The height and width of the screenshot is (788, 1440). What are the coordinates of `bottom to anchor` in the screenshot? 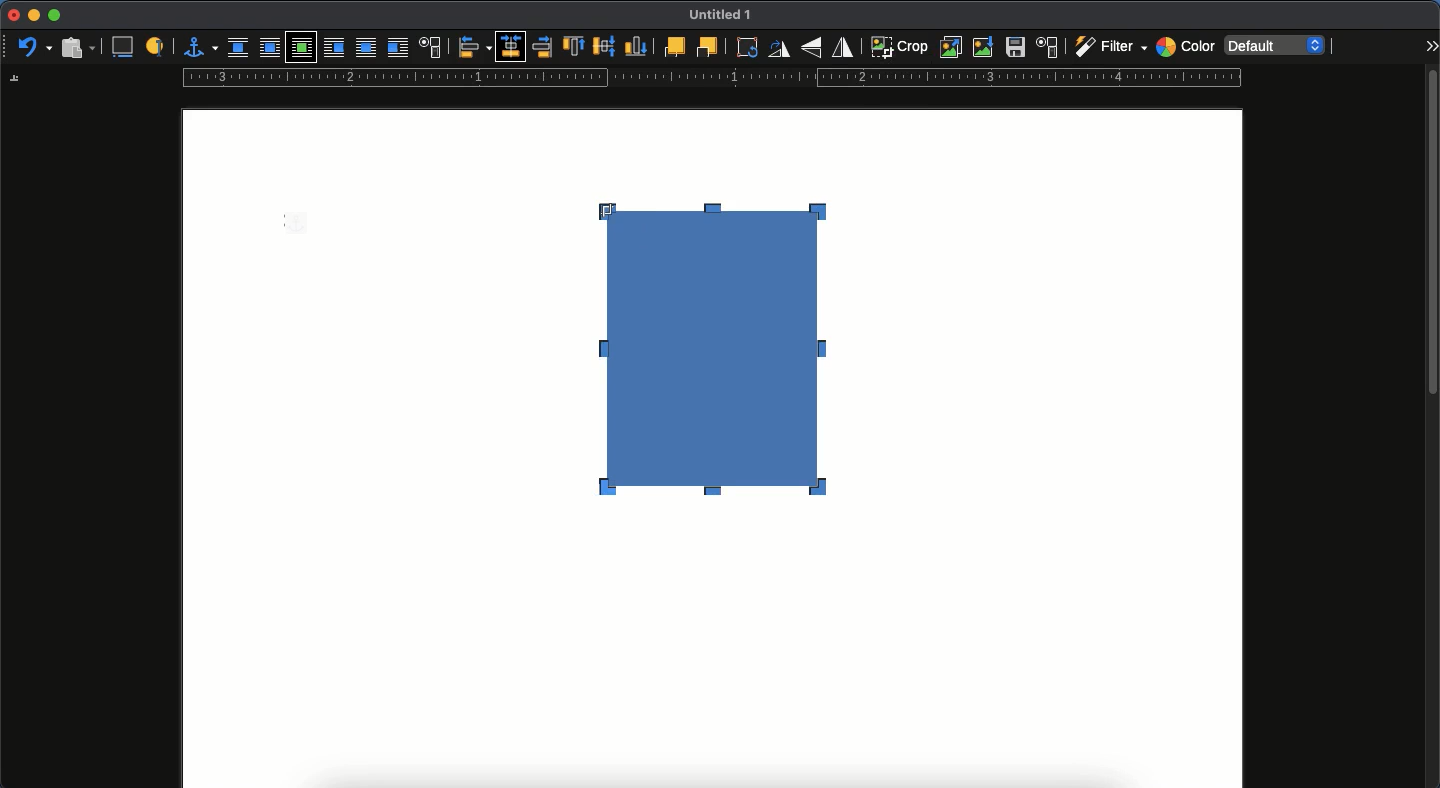 It's located at (636, 46).